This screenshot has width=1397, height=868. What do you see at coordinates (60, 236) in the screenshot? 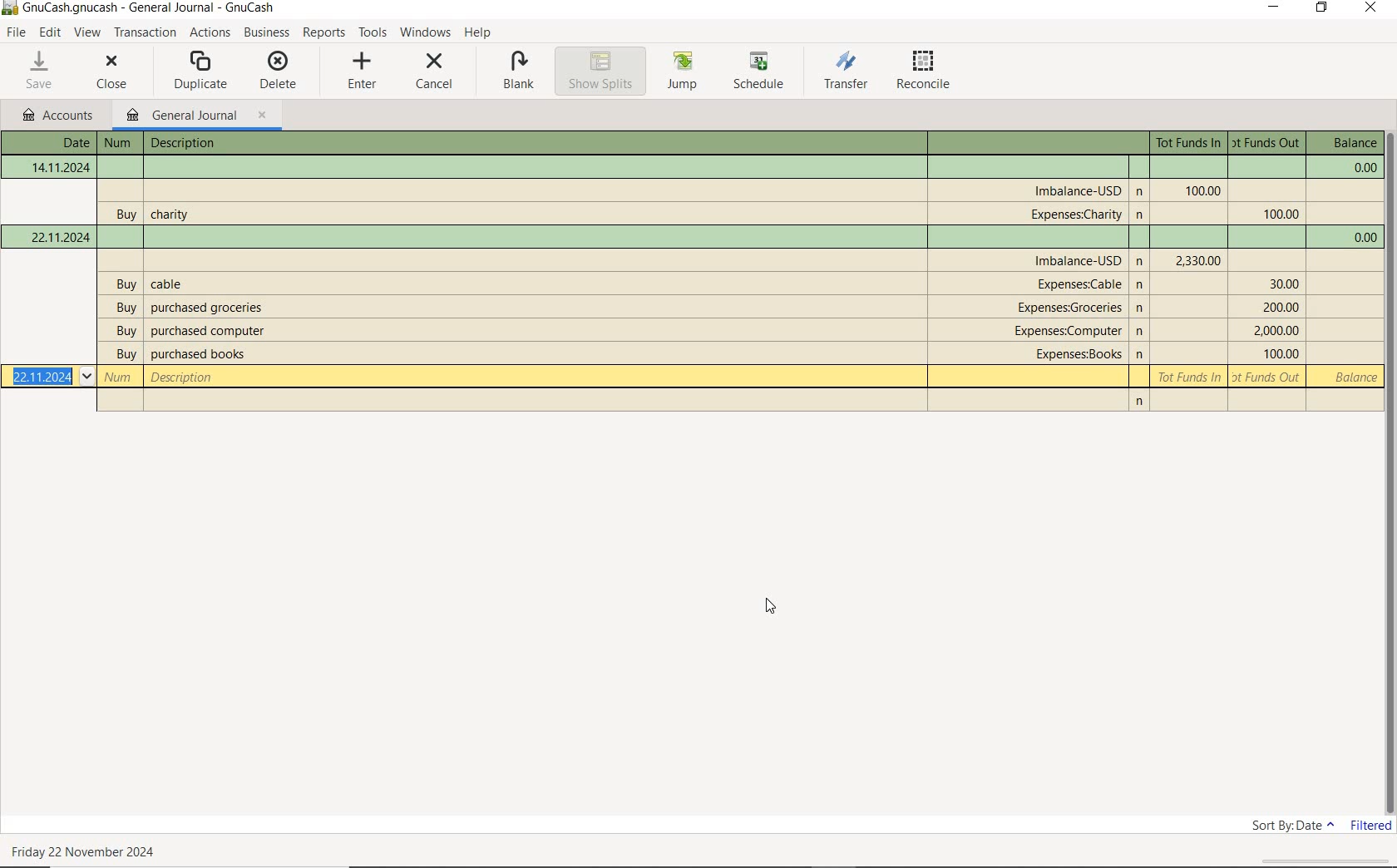
I see `Date` at bounding box center [60, 236].